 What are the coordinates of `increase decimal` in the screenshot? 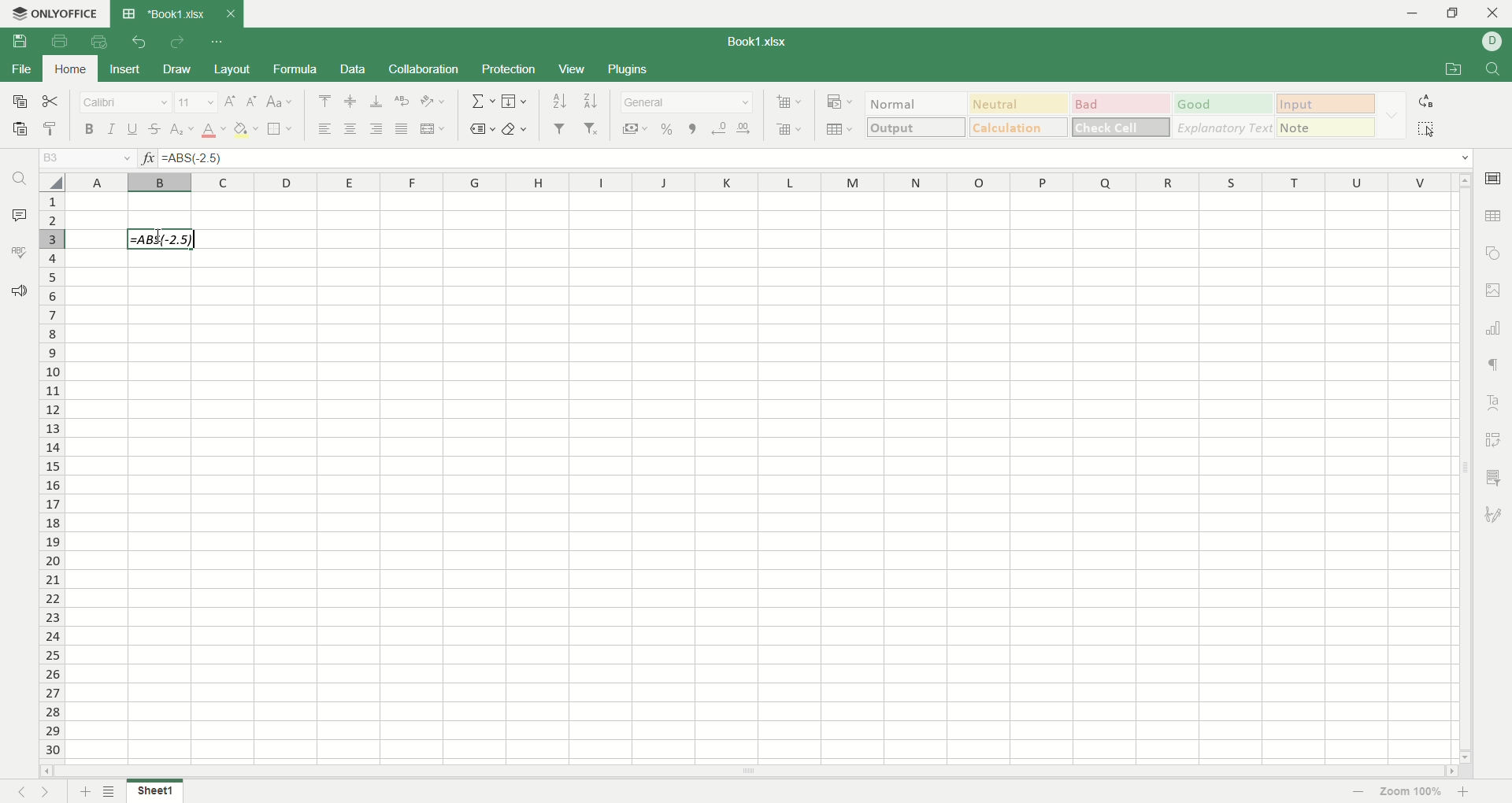 It's located at (744, 129).